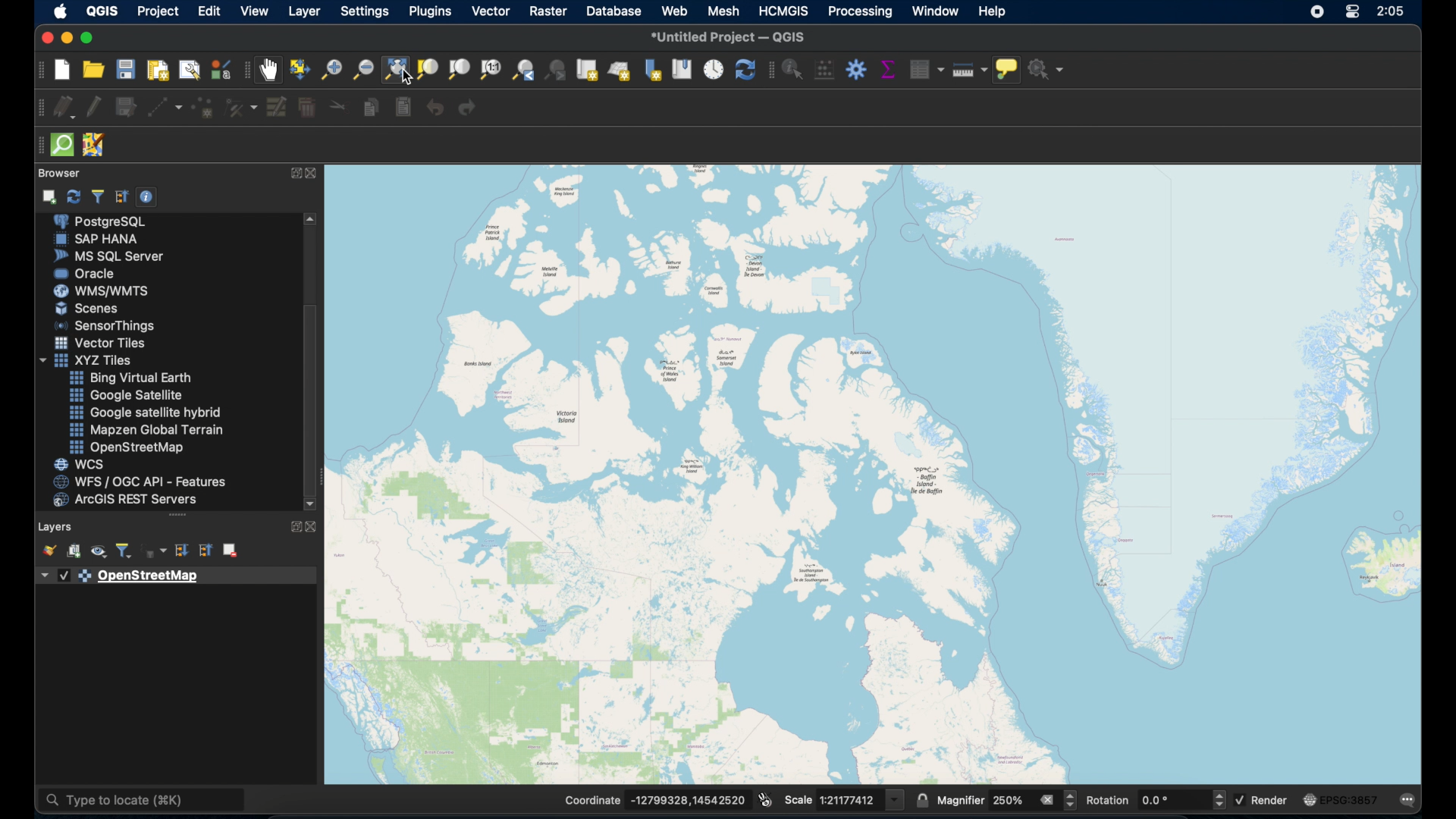 This screenshot has height=819, width=1456. Describe the element at coordinates (331, 69) in the screenshot. I see `zoom in` at that location.